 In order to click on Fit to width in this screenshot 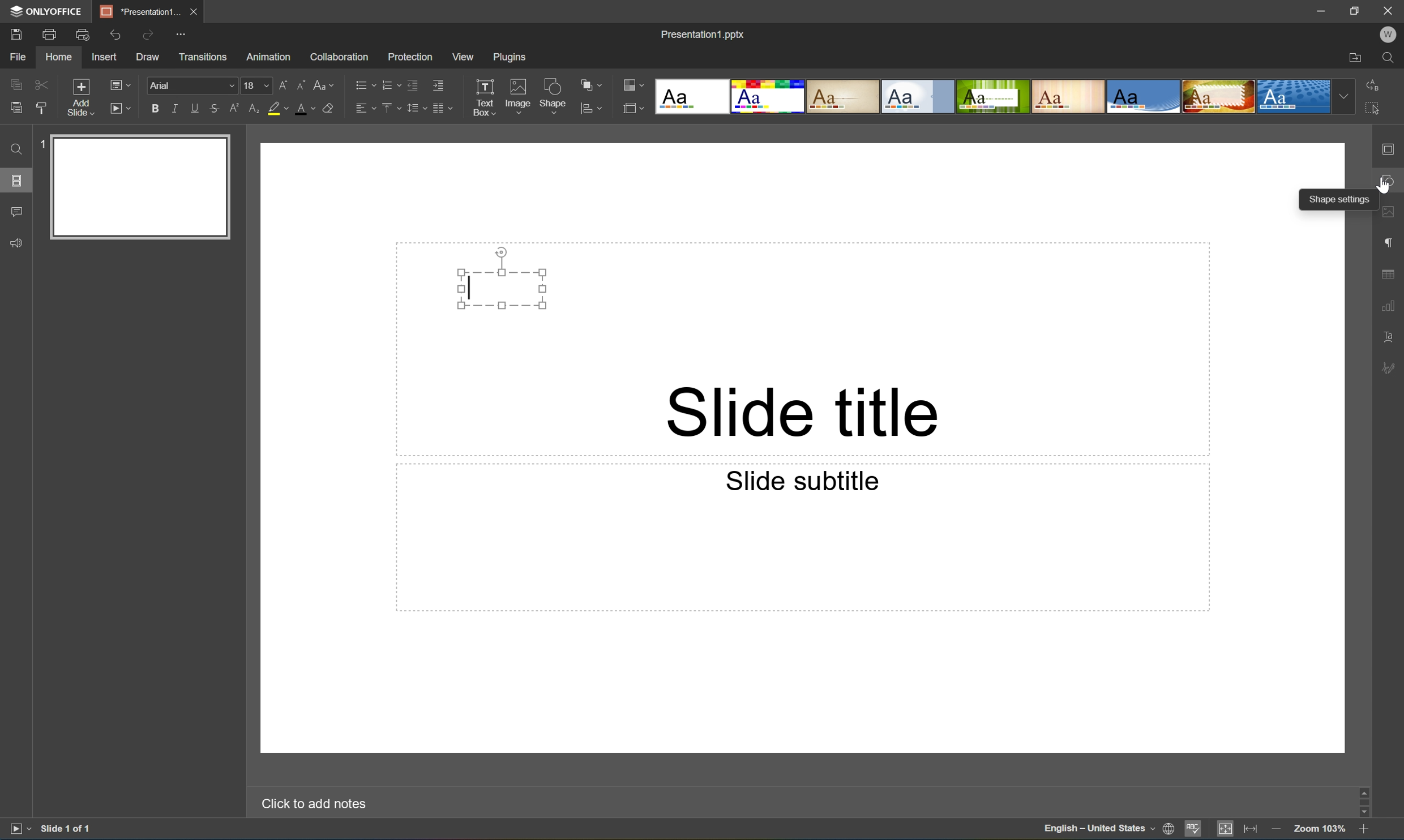, I will do `click(1251, 830)`.